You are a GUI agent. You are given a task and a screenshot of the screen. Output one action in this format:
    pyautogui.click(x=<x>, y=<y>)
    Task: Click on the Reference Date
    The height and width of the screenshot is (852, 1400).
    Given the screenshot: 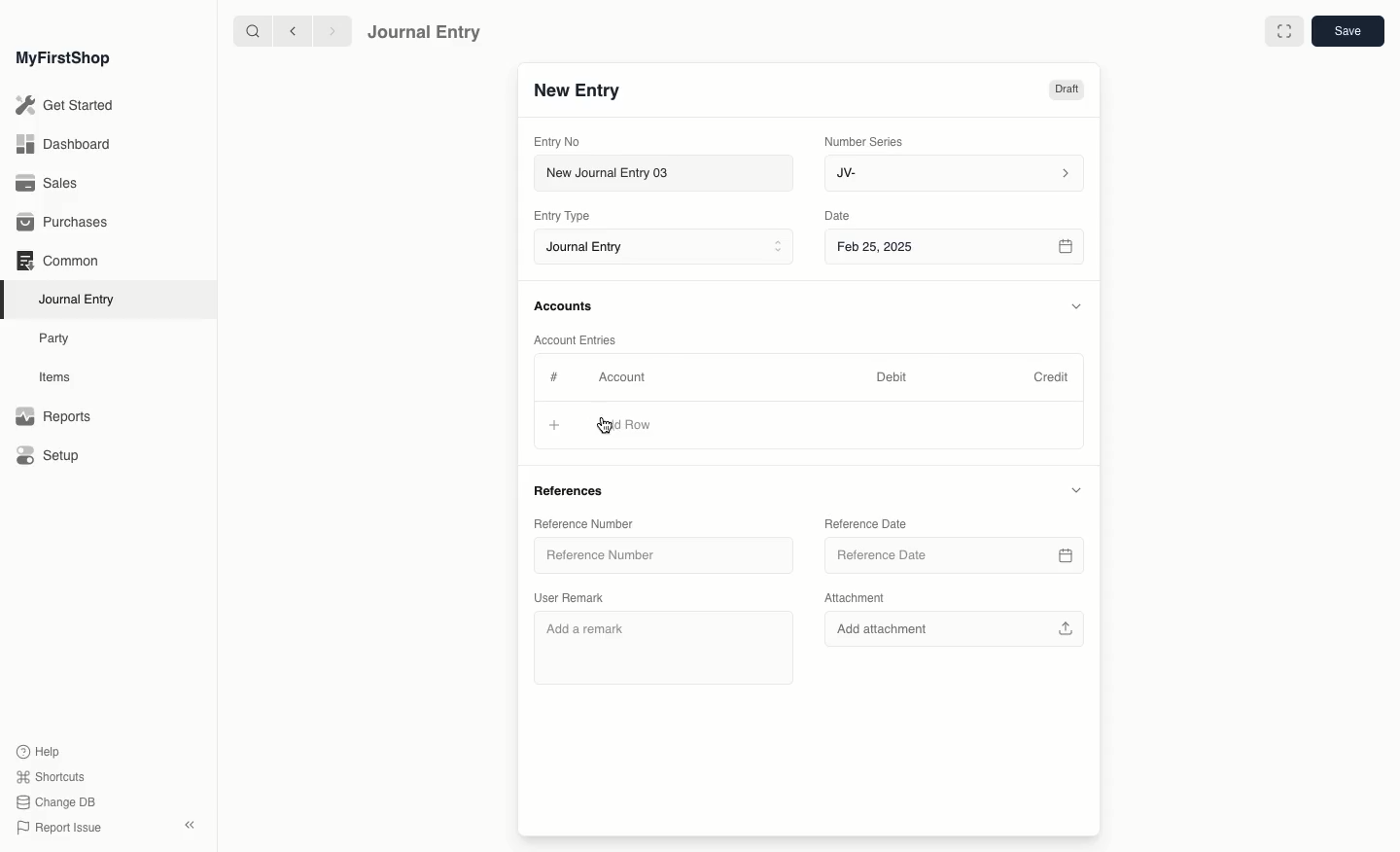 What is the action you would take?
    pyautogui.click(x=954, y=557)
    